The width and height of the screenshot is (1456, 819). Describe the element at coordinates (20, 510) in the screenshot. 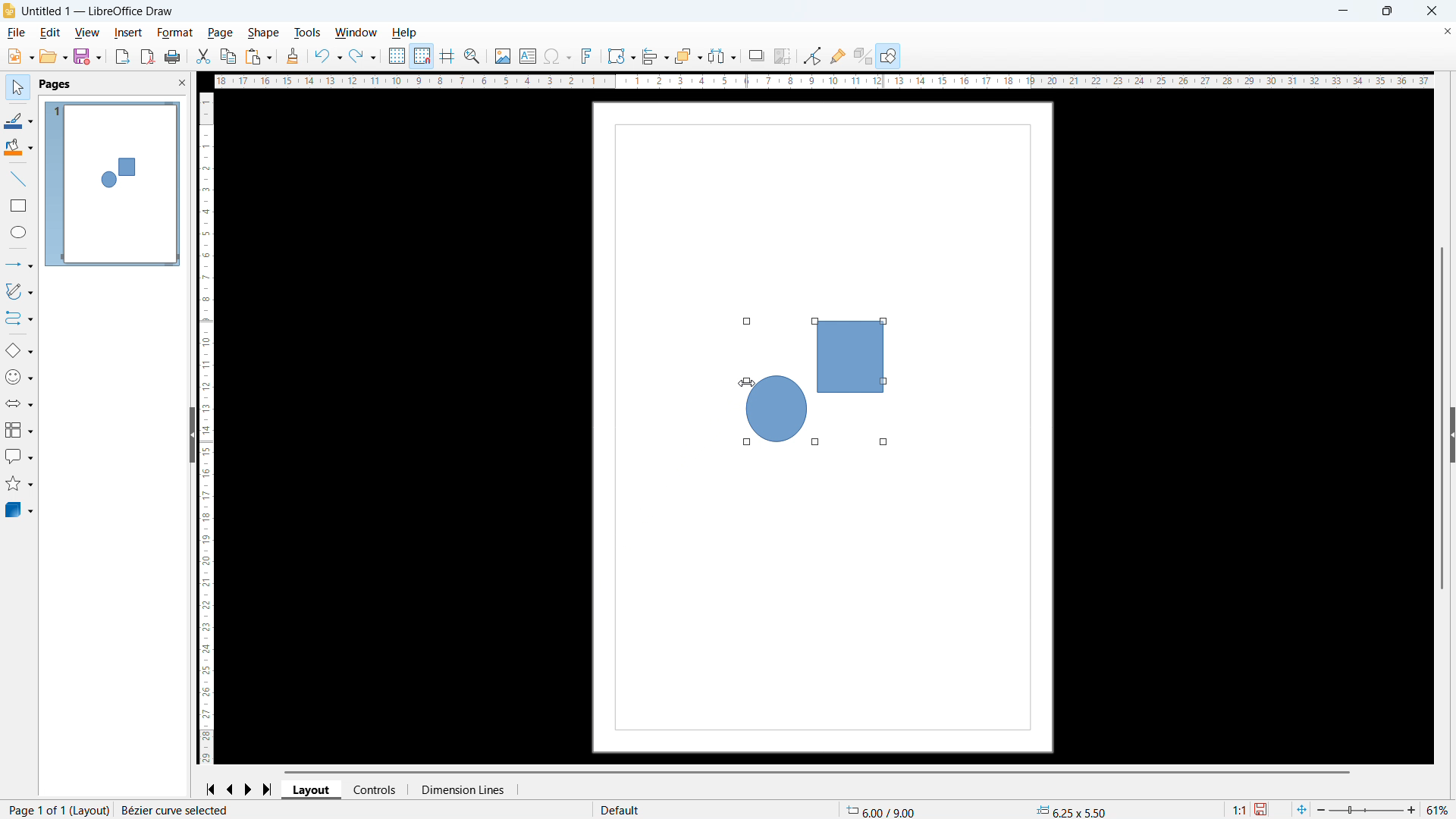

I see `3D objects ` at that location.